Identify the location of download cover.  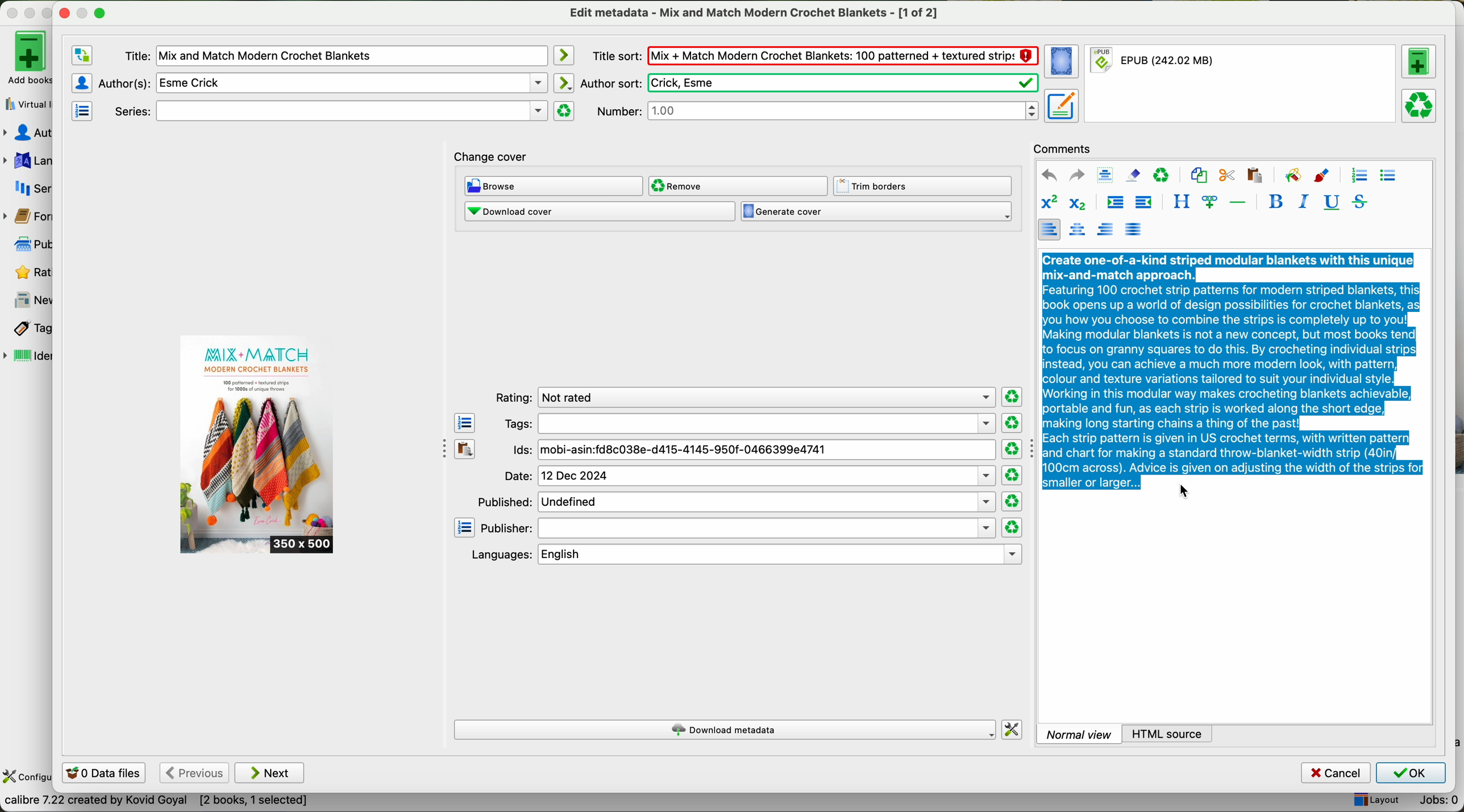
(599, 211).